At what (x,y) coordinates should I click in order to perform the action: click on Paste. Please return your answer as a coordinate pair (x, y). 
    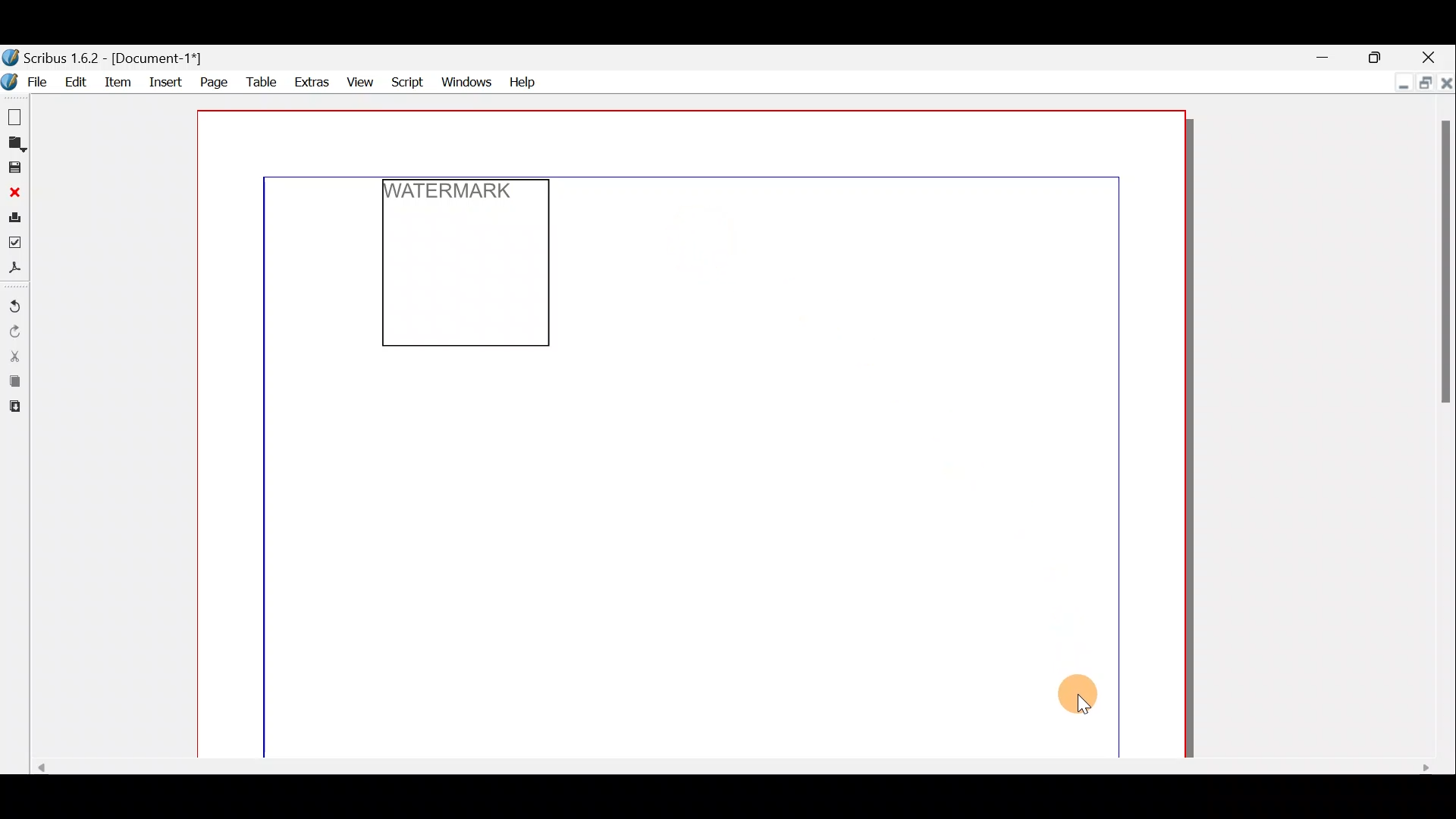
    Looking at the image, I should click on (13, 409).